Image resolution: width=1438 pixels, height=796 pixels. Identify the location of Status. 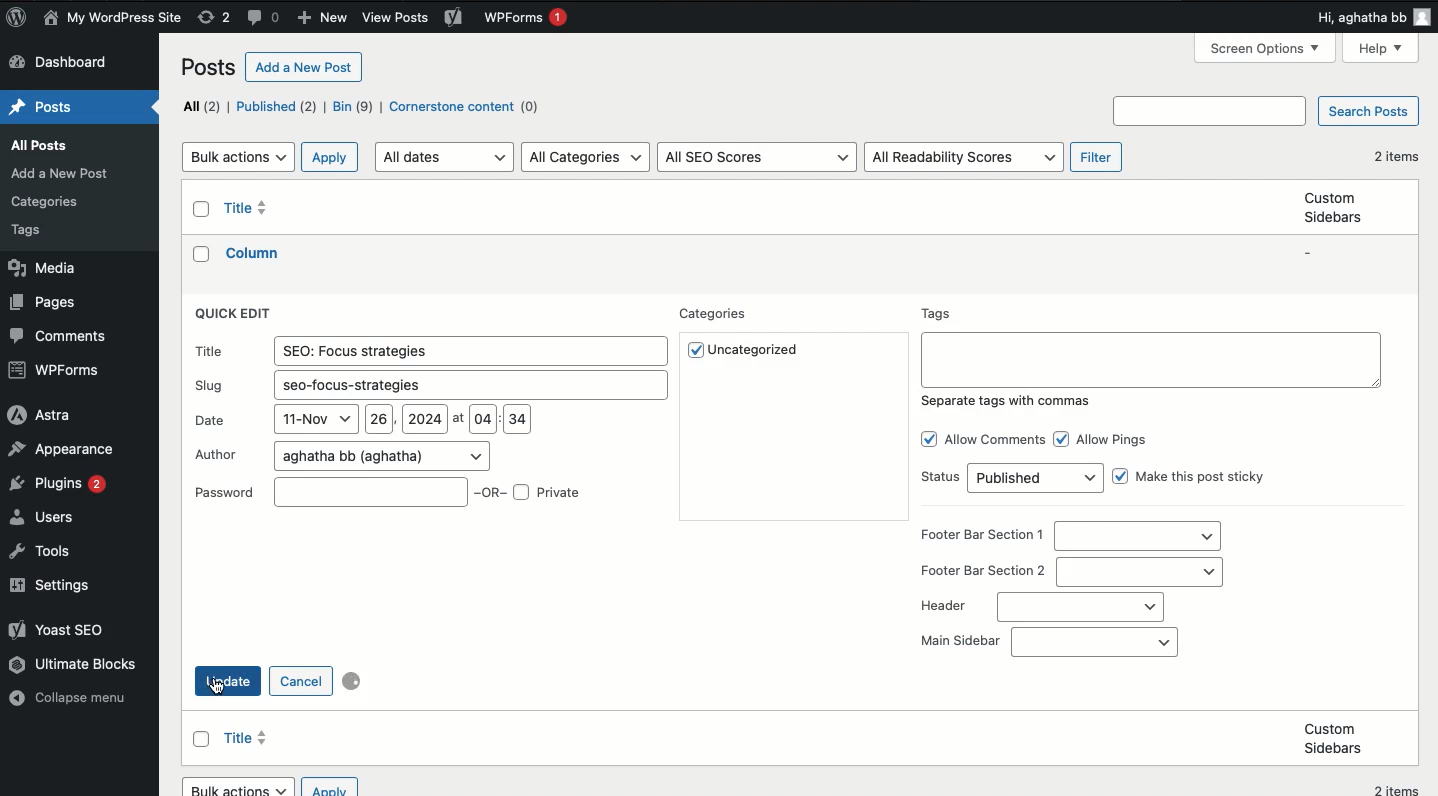
(940, 477).